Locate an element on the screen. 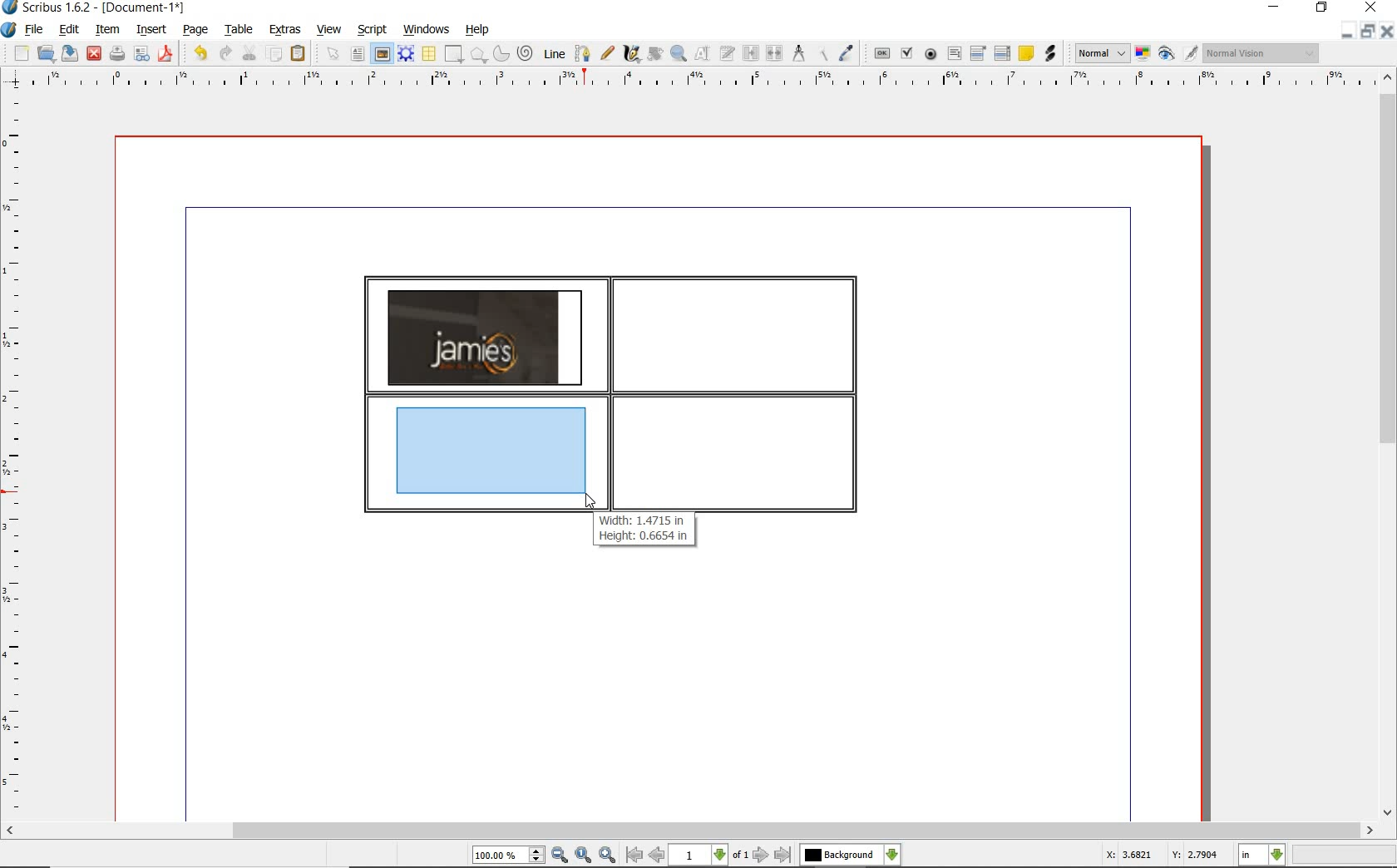 The width and height of the screenshot is (1397, 868). visual appearance of the display is located at coordinates (1259, 53).